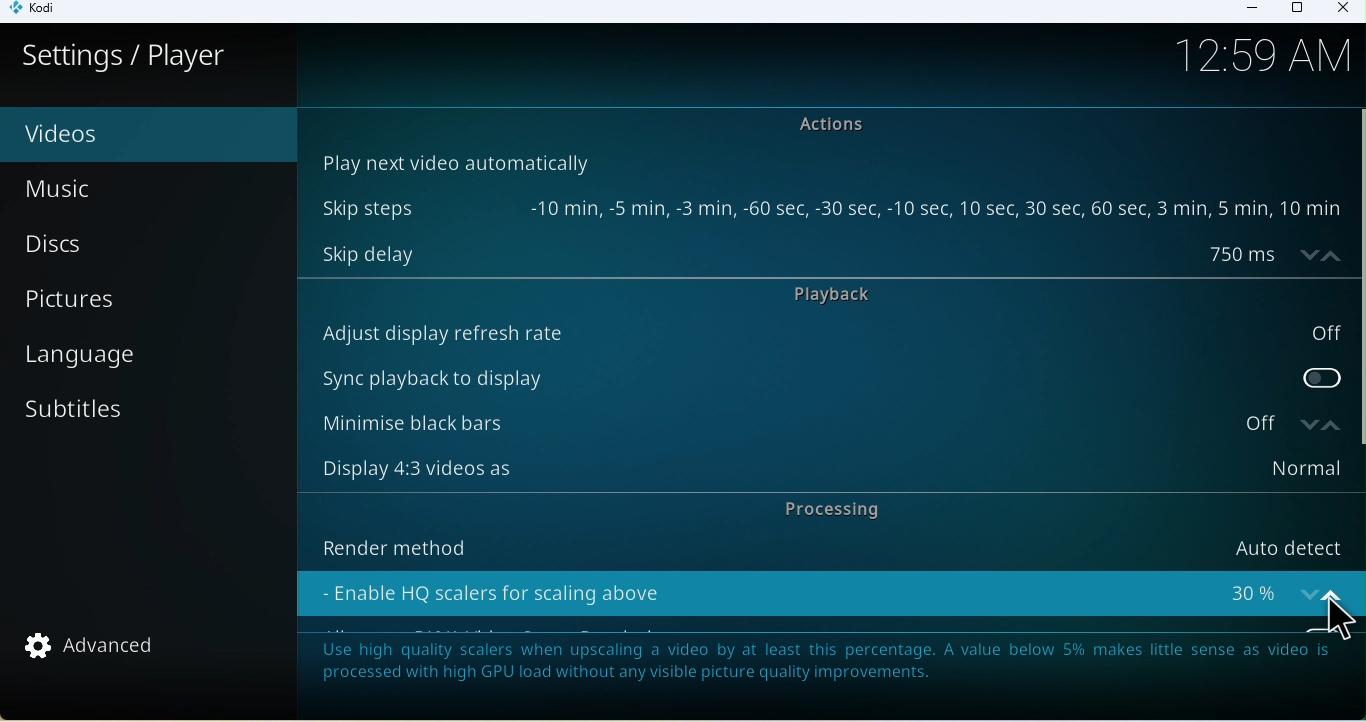 Image resolution: width=1366 pixels, height=722 pixels. What do you see at coordinates (824, 469) in the screenshot?
I see `Display 4:3 videos as` at bounding box center [824, 469].